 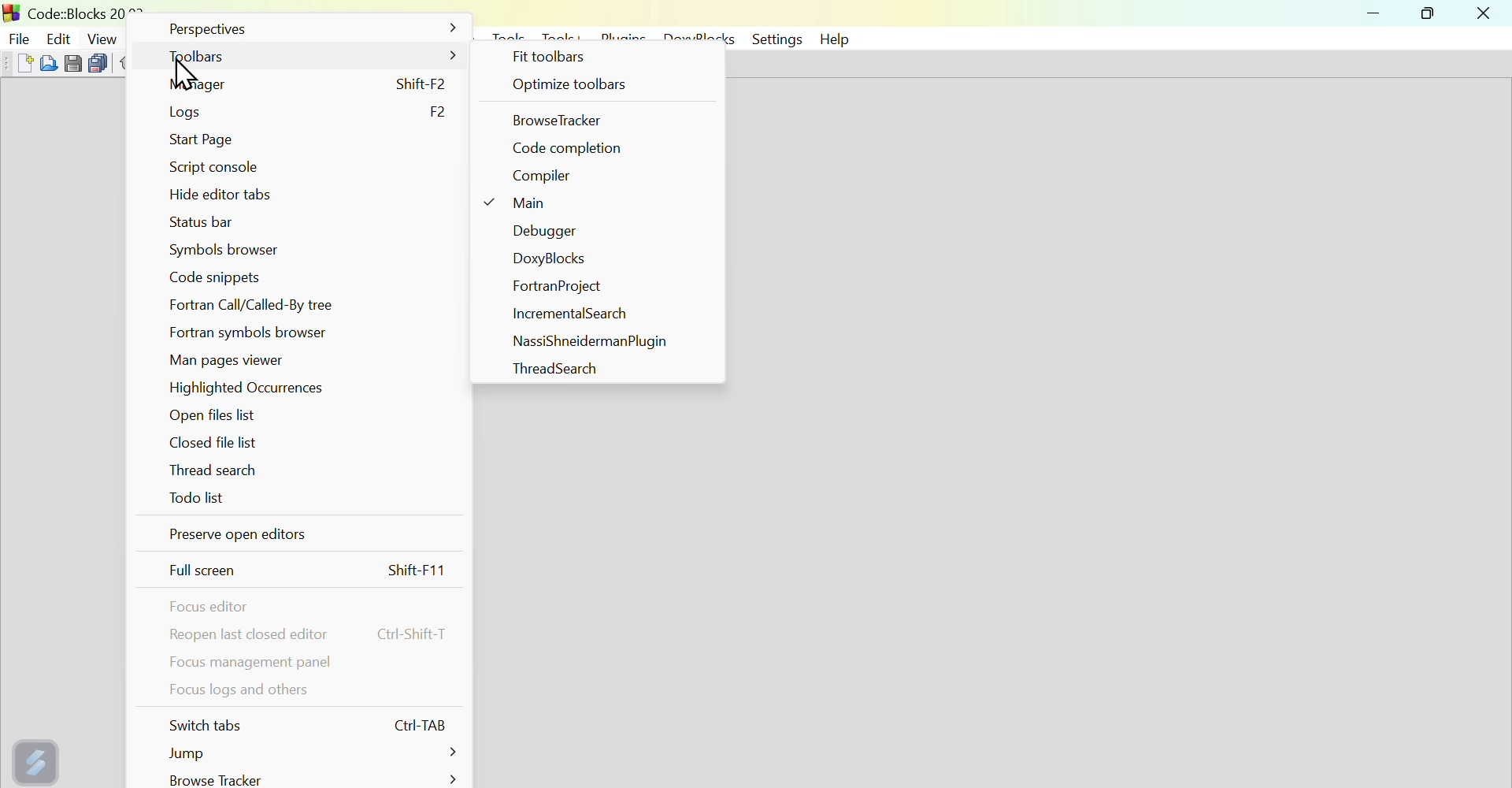 I want to click on Doxyblocks, so click(x=551, y=260).